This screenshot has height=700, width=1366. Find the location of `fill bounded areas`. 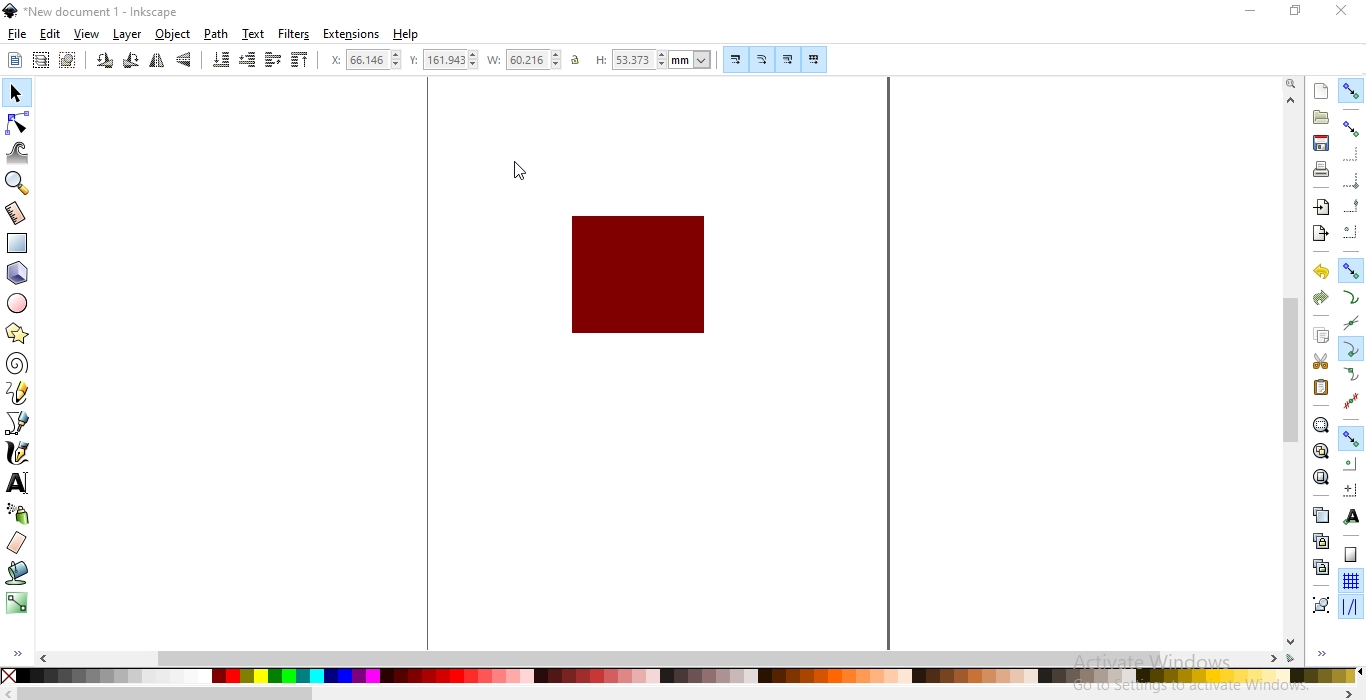

fill bounded areas is located at coordinates (16, 575).